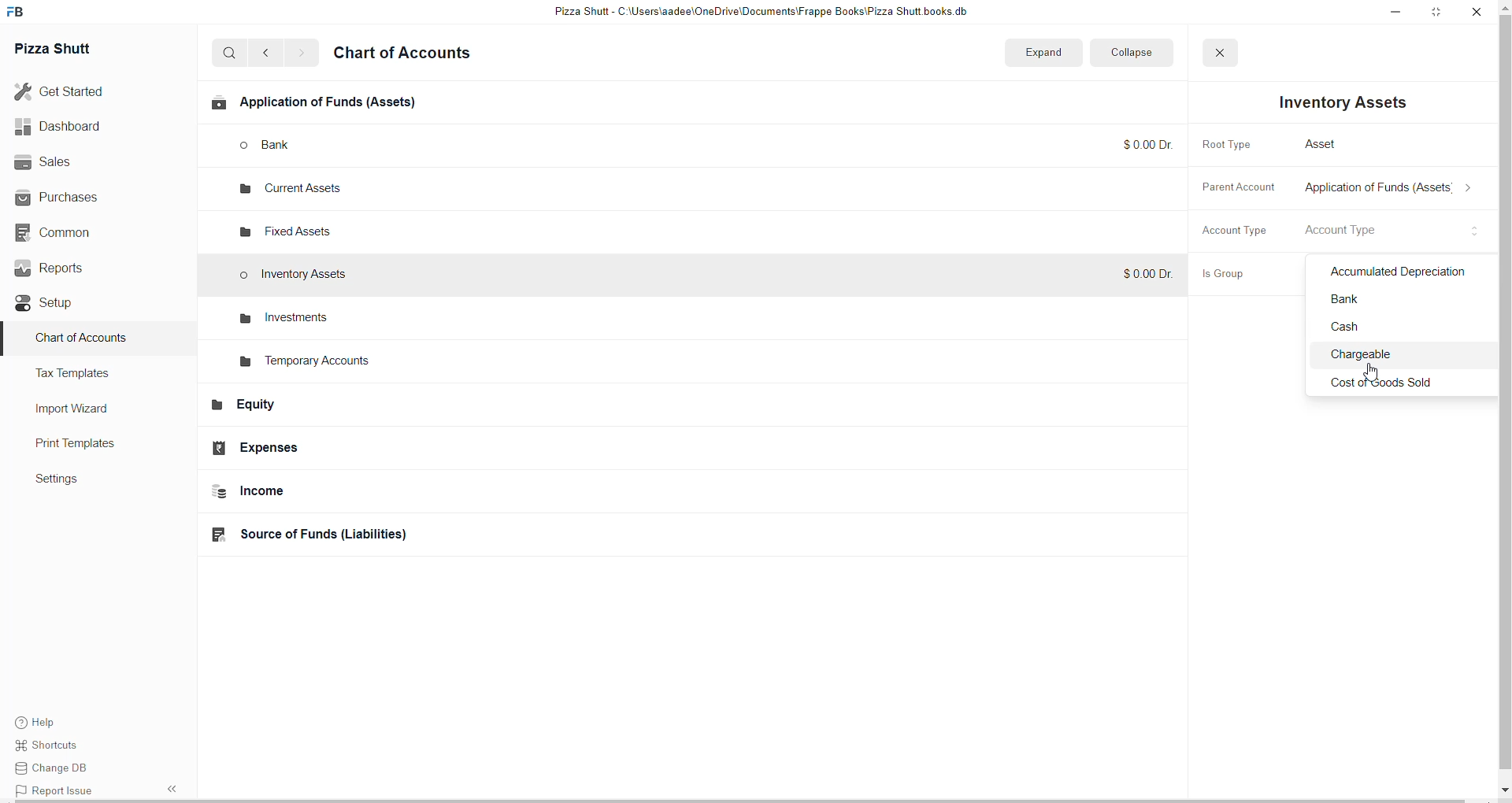  What do you see at coordinates (329, 534) in the screenshot?
I see `Source of funds(Liabilities)` at bounding box center [329, 534].